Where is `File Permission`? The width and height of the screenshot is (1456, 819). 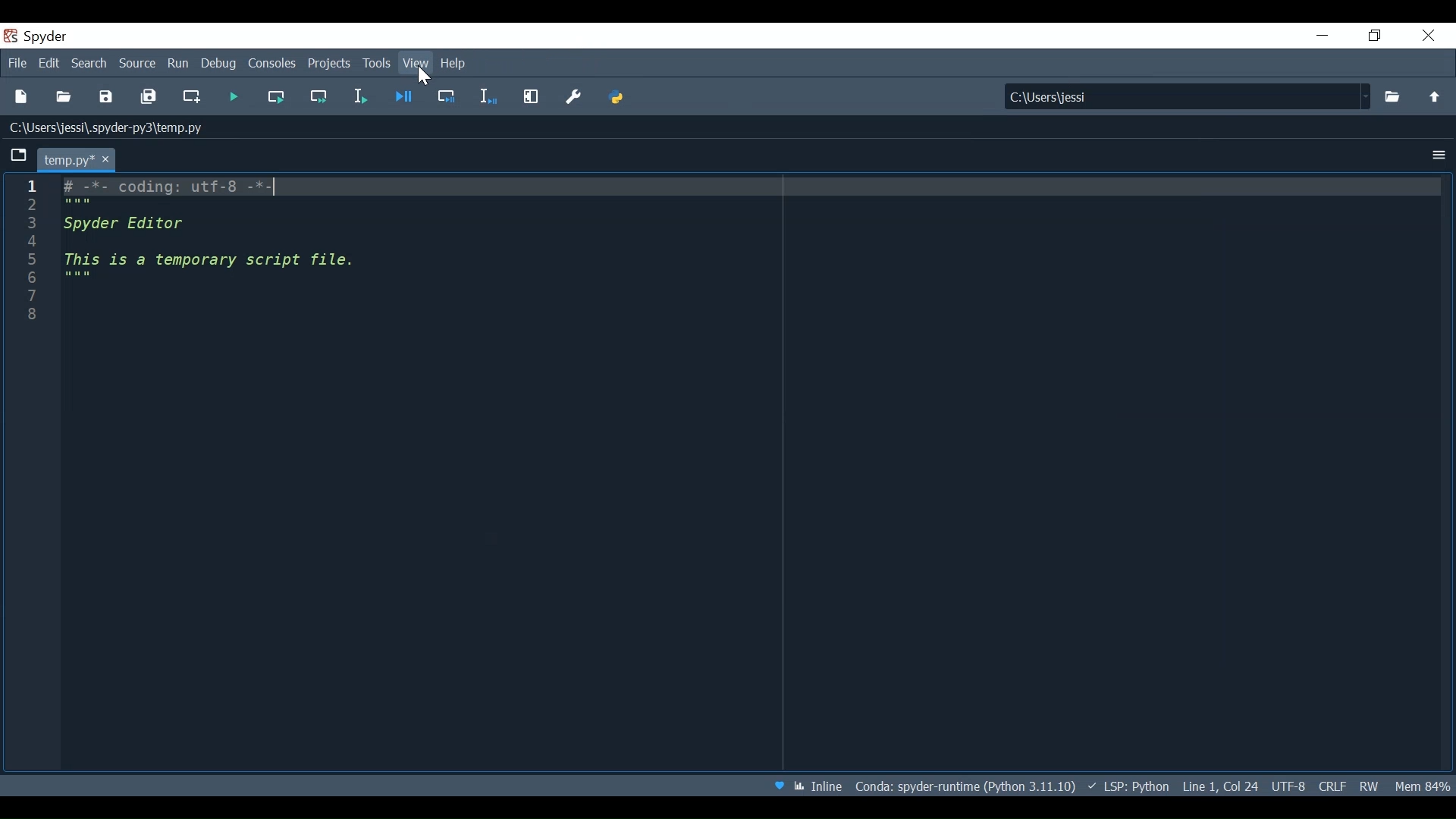
File Permission is located at coordinates (1367, 785).